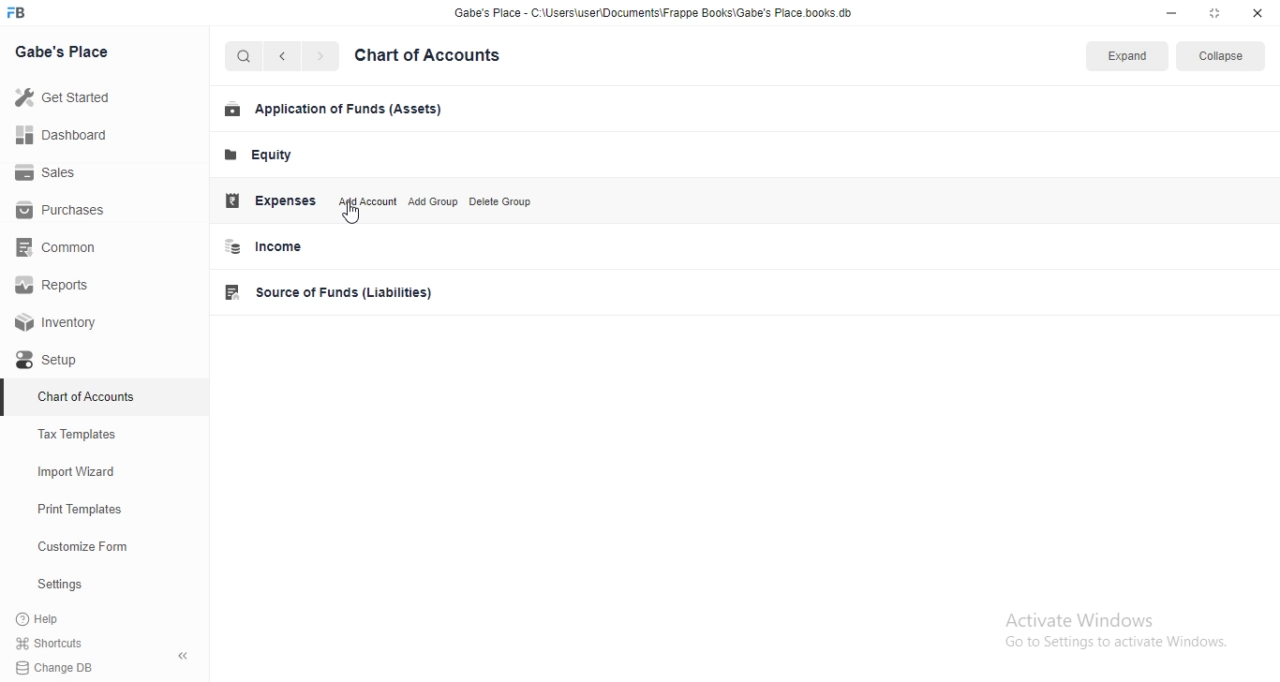 The image size is (1280, 682). Describe the element at coordinates (438, 203) in the screenshot. I see `Add Group` at that location.